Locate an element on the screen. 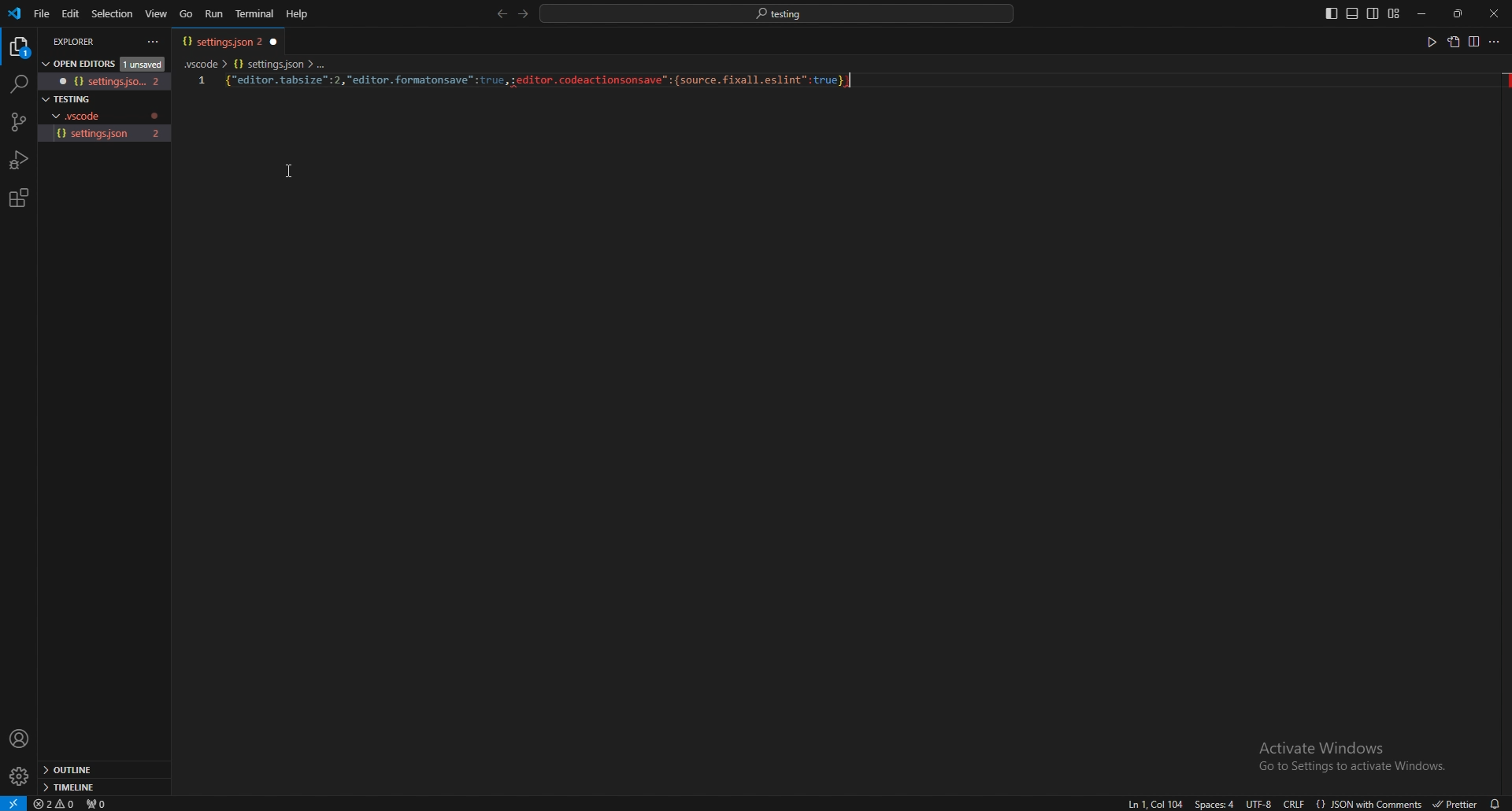 The height and width of the screenshot is (811, 1512). terminal is located at coordinates (258, 14).